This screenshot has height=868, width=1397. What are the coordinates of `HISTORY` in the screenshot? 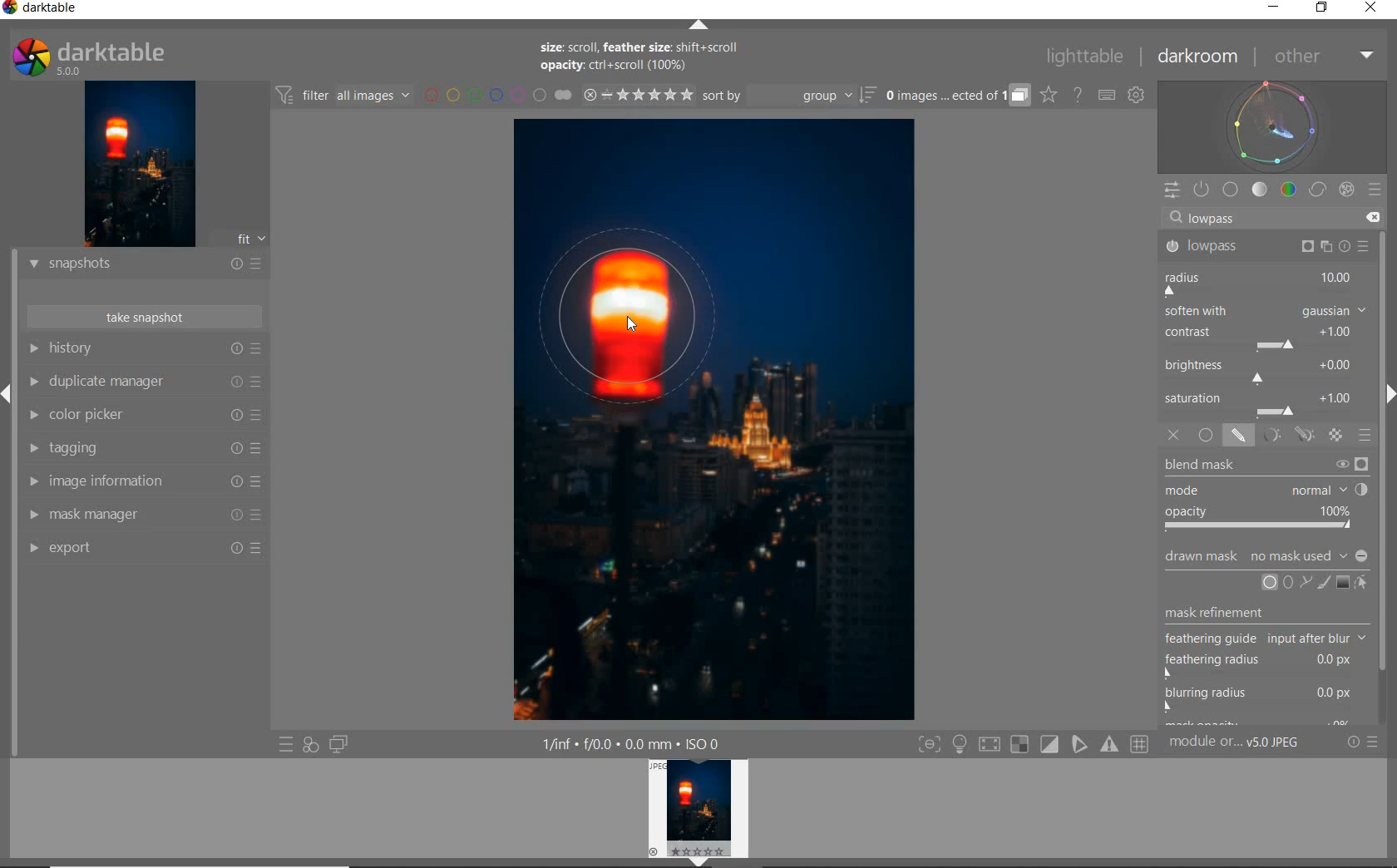 It's located at (143, 350).